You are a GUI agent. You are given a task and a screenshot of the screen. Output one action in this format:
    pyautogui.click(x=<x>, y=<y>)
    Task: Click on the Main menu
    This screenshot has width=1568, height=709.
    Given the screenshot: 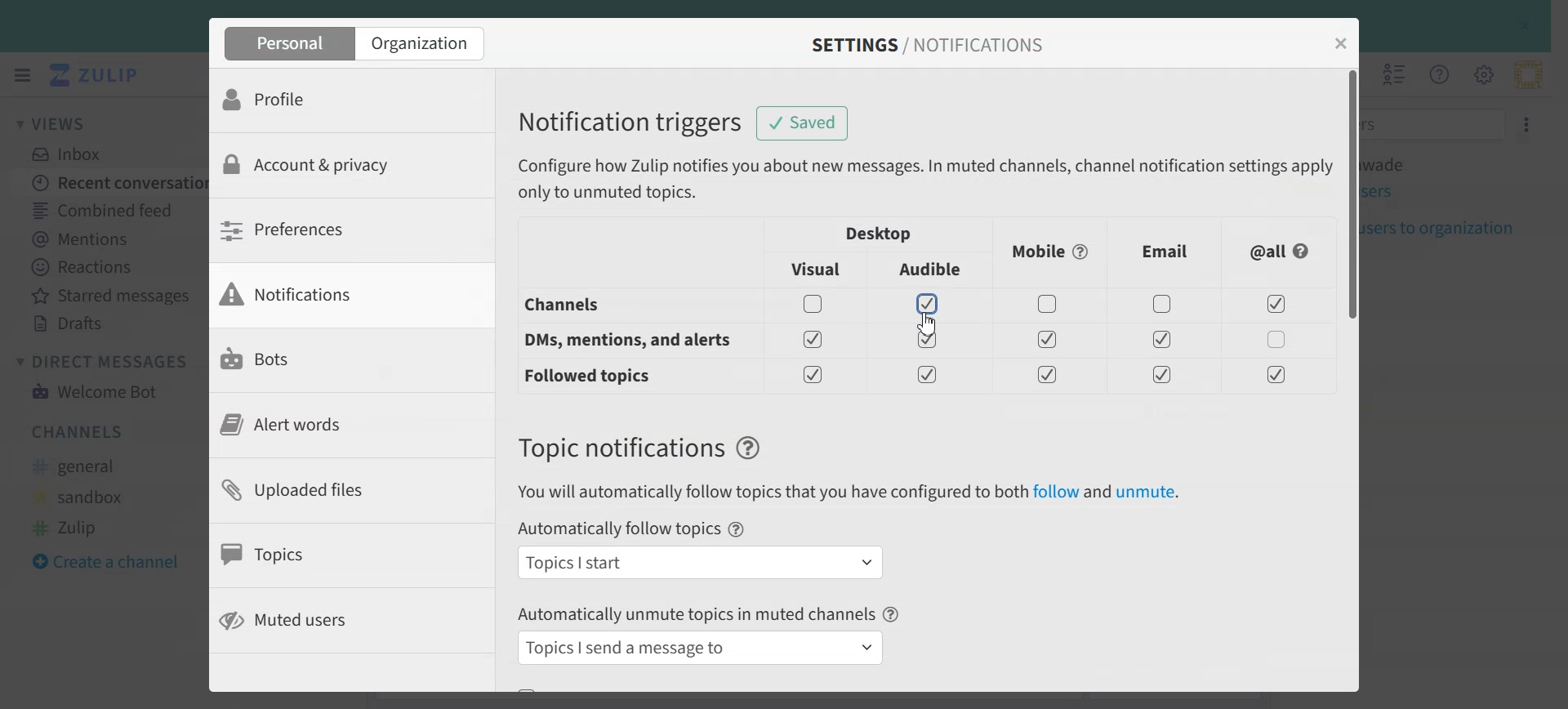 What is the action you would take?
    pyautogui.click(x=1483, y=74)
    